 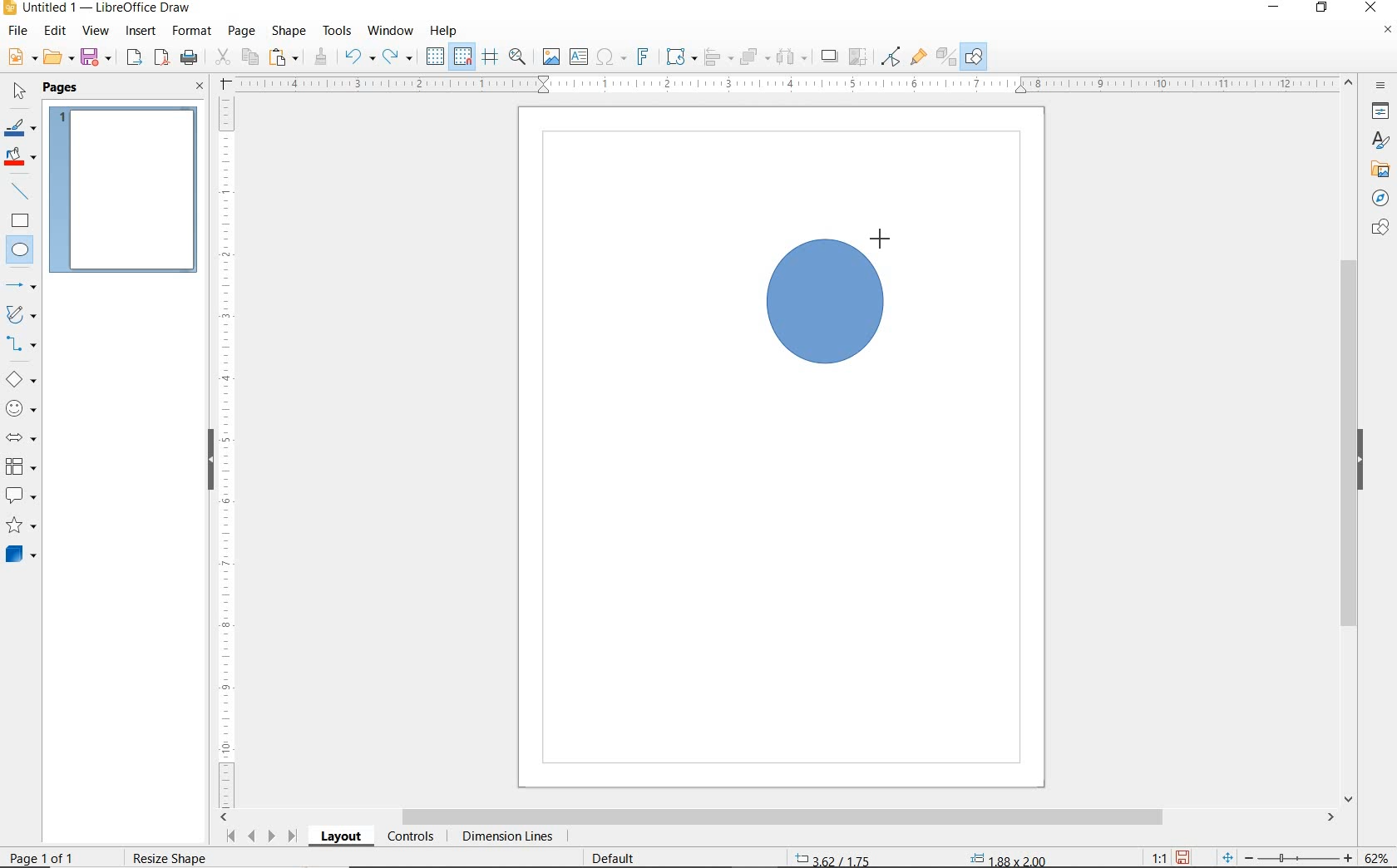 I want to click on FILL COLOR, so click(x=22, y=158).